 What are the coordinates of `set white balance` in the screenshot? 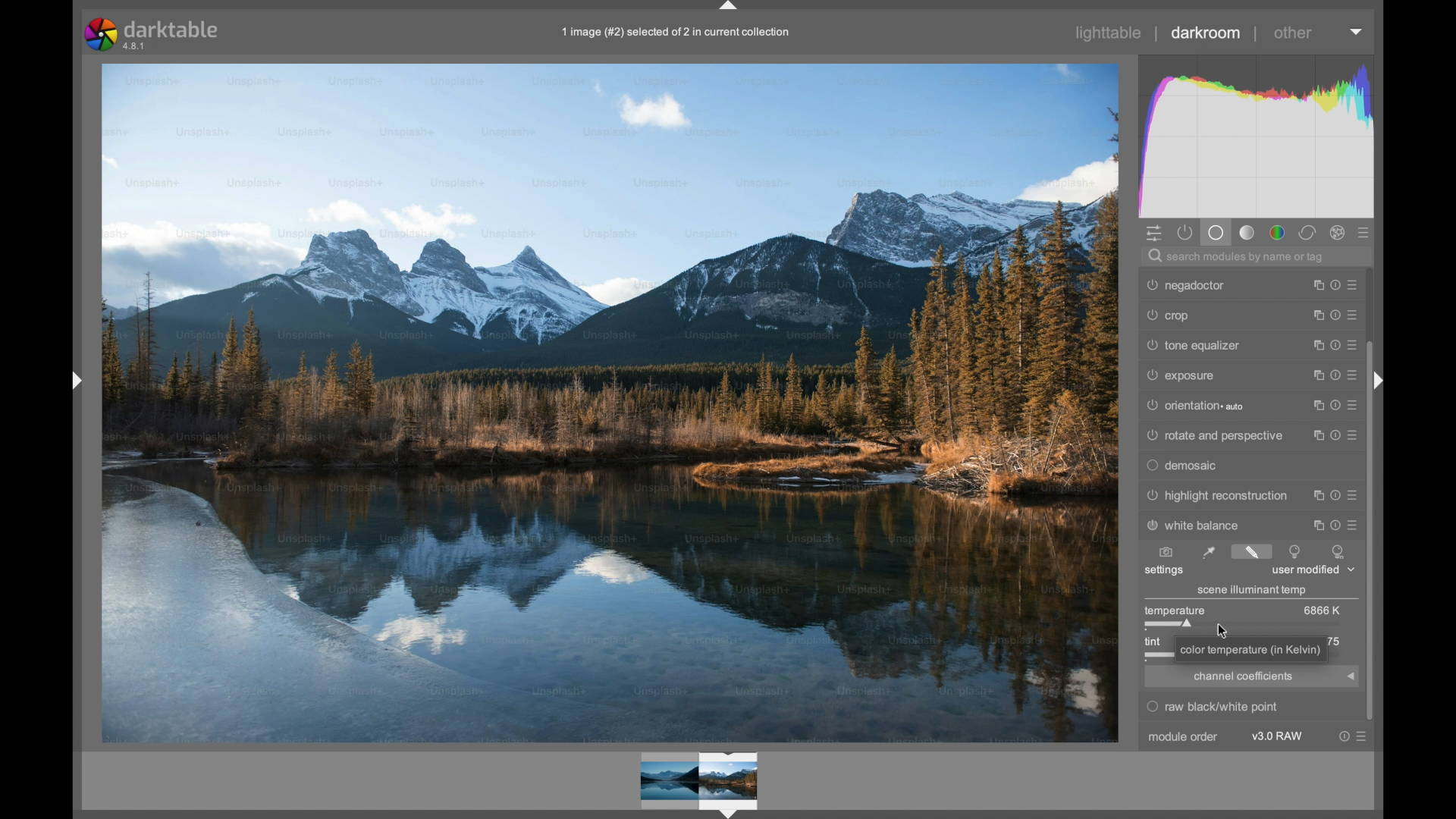 It's located at (1252, 551).